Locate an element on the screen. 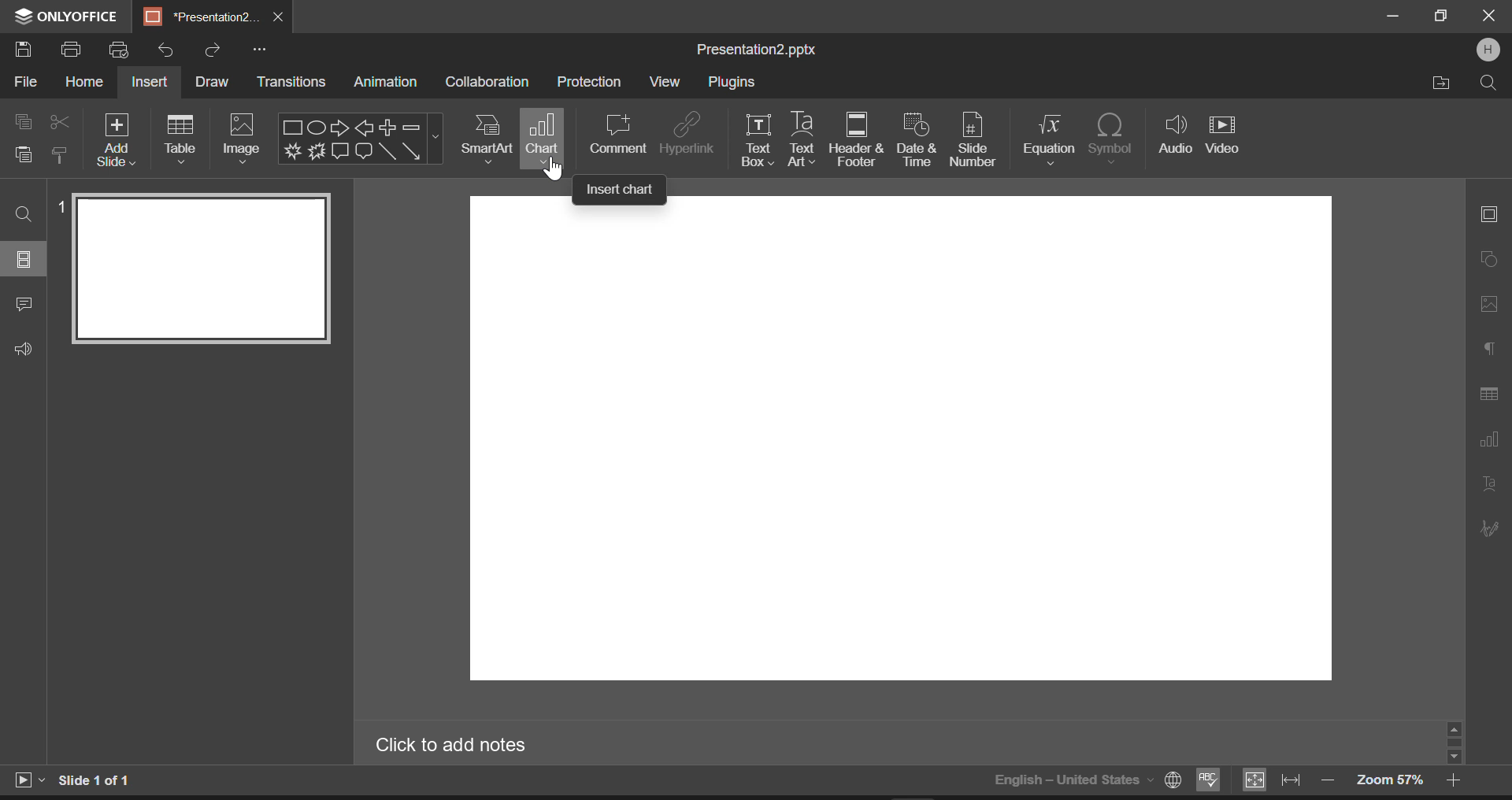 This screenshot has width=1512, height=800. Rounded Rectangle Callout is located at coordinates (365, 151).